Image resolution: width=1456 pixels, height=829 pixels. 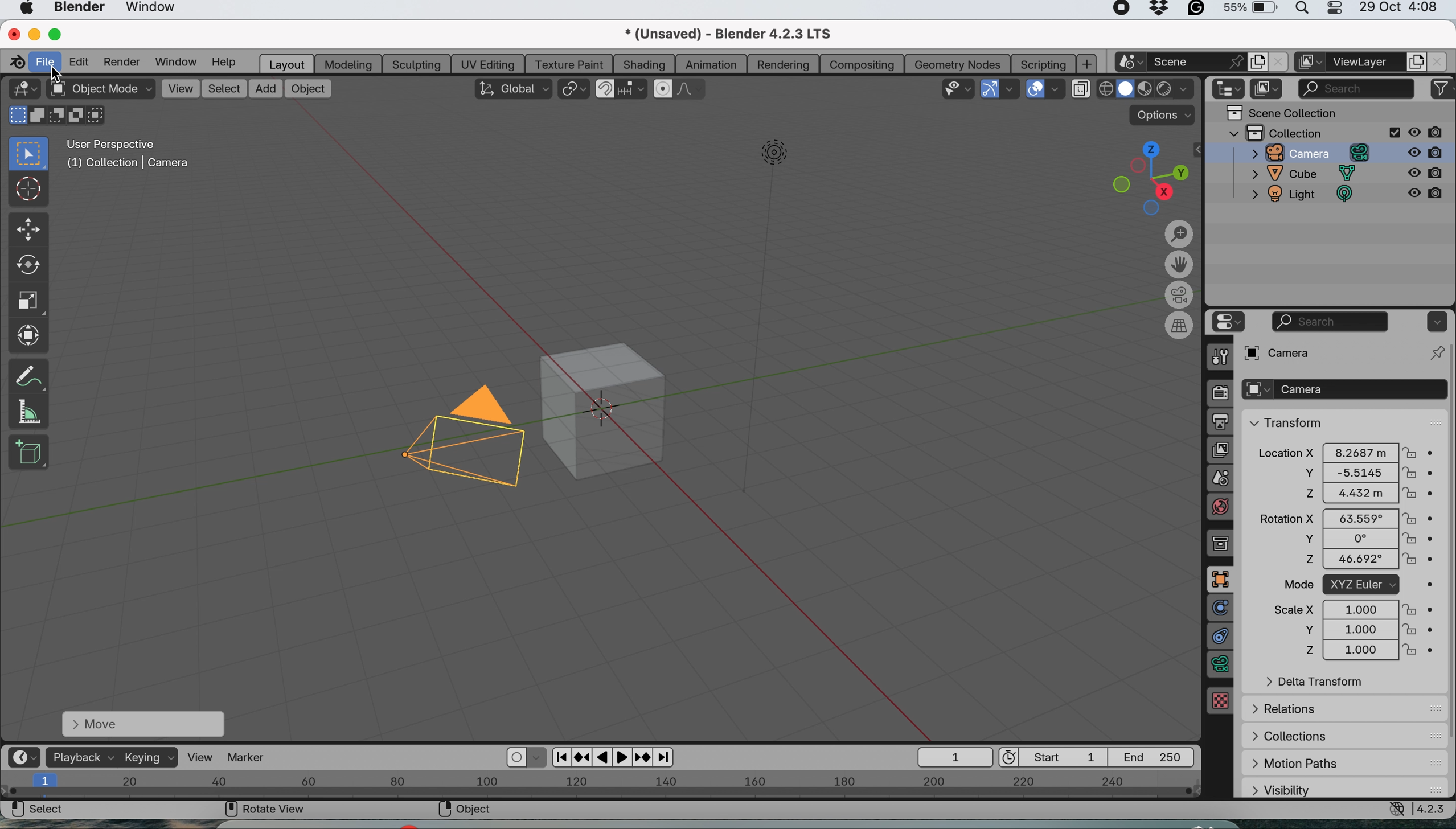 What do you see at coordinates (30, 412) in the screenshot?
I see `measure` at bounding box center [30, 412].